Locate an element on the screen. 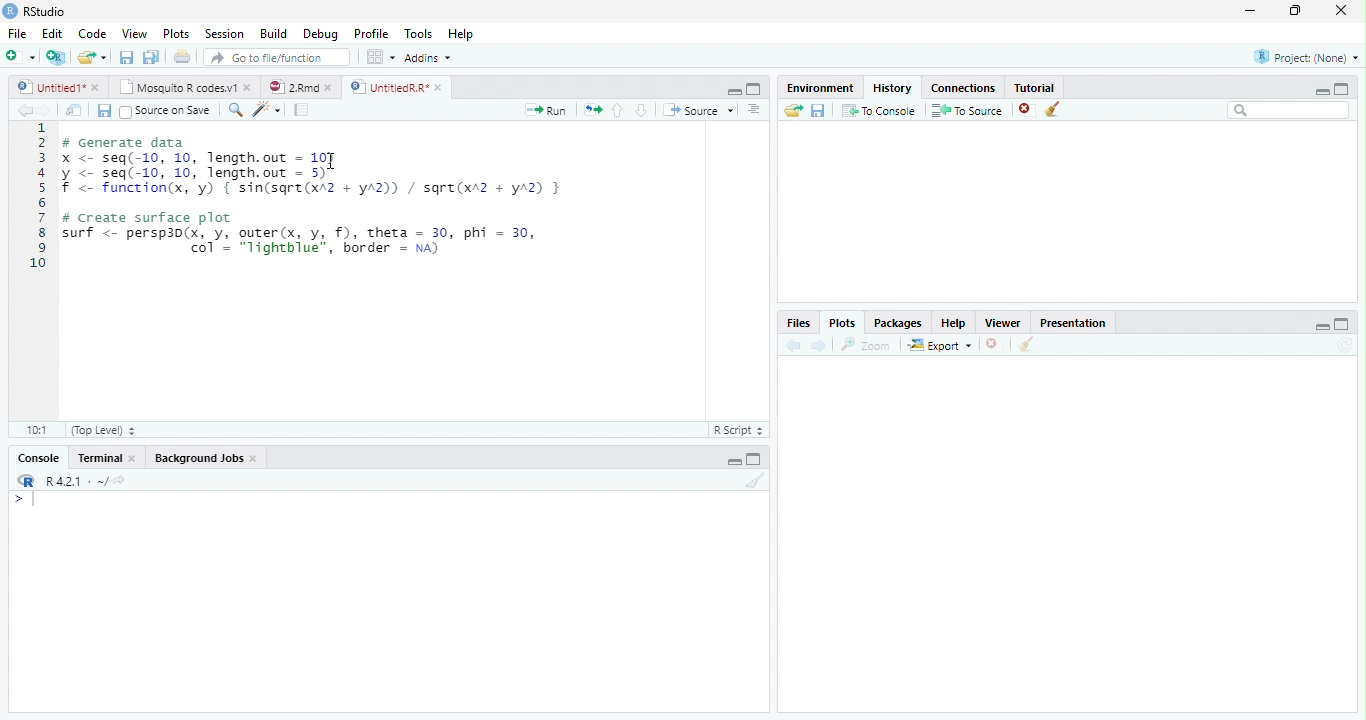 This screenshot has width=1366, height=720. Connections is located at coordinates (963, 87).